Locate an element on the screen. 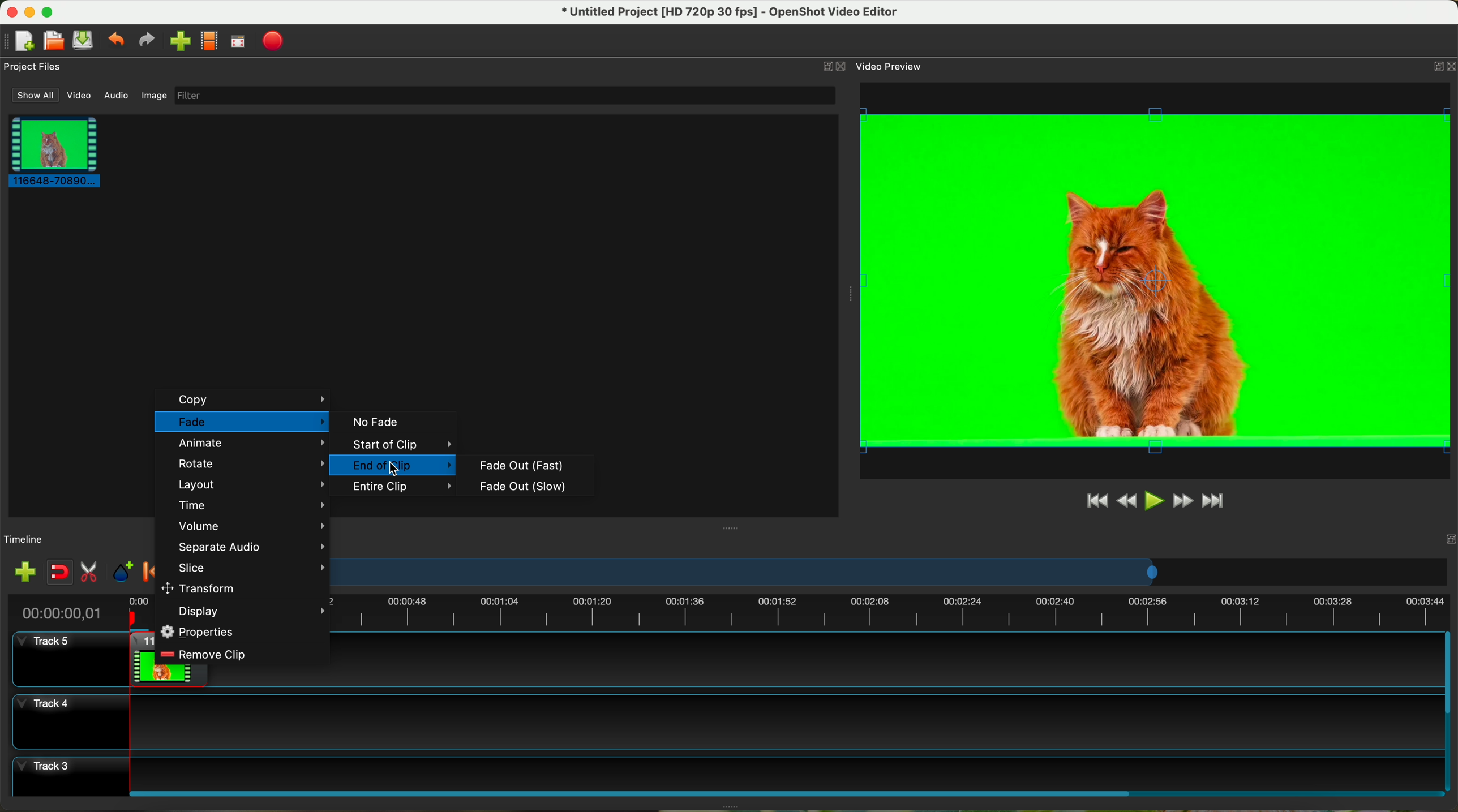  timeline is located at coordinates (24, 540).